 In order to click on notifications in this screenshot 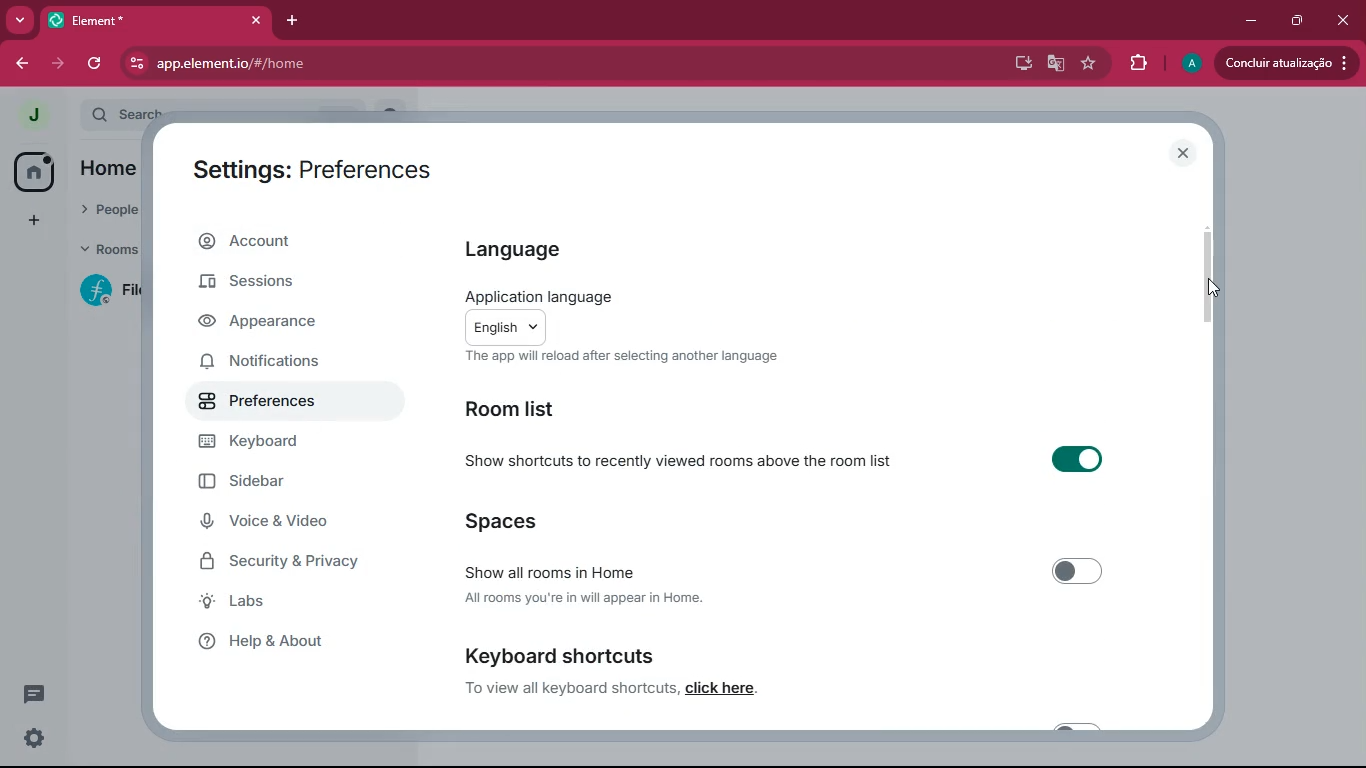, I will do `click(273, 363)`.